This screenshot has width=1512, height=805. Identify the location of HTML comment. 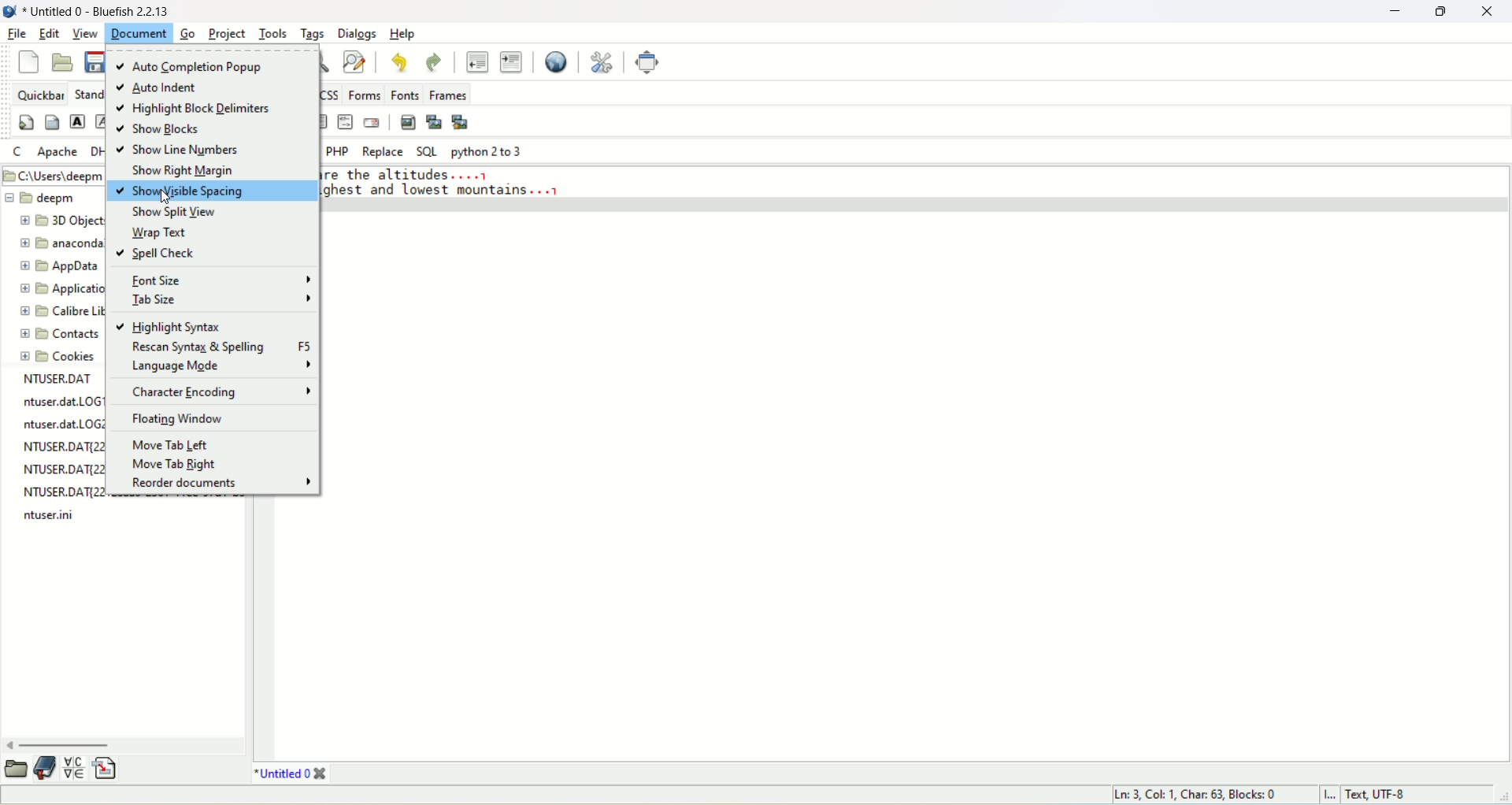
(346, 122).